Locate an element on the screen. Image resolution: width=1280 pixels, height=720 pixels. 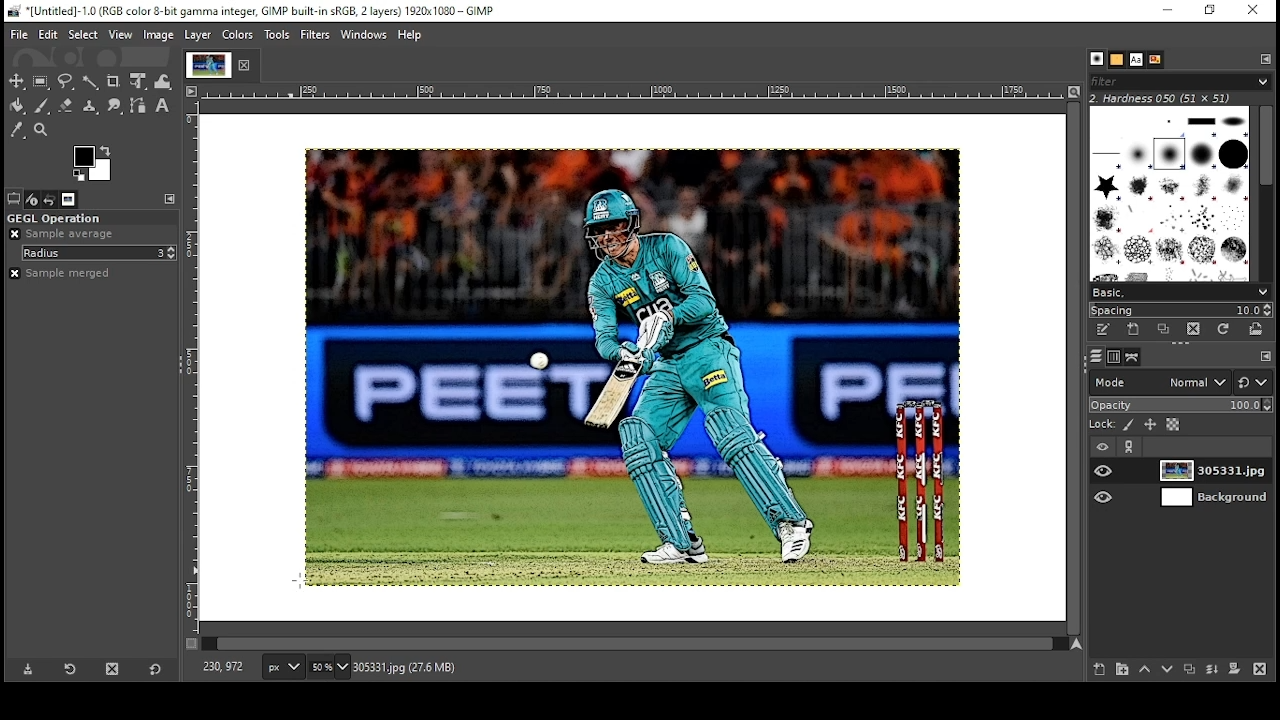
view is located at coordinates (120, 34).